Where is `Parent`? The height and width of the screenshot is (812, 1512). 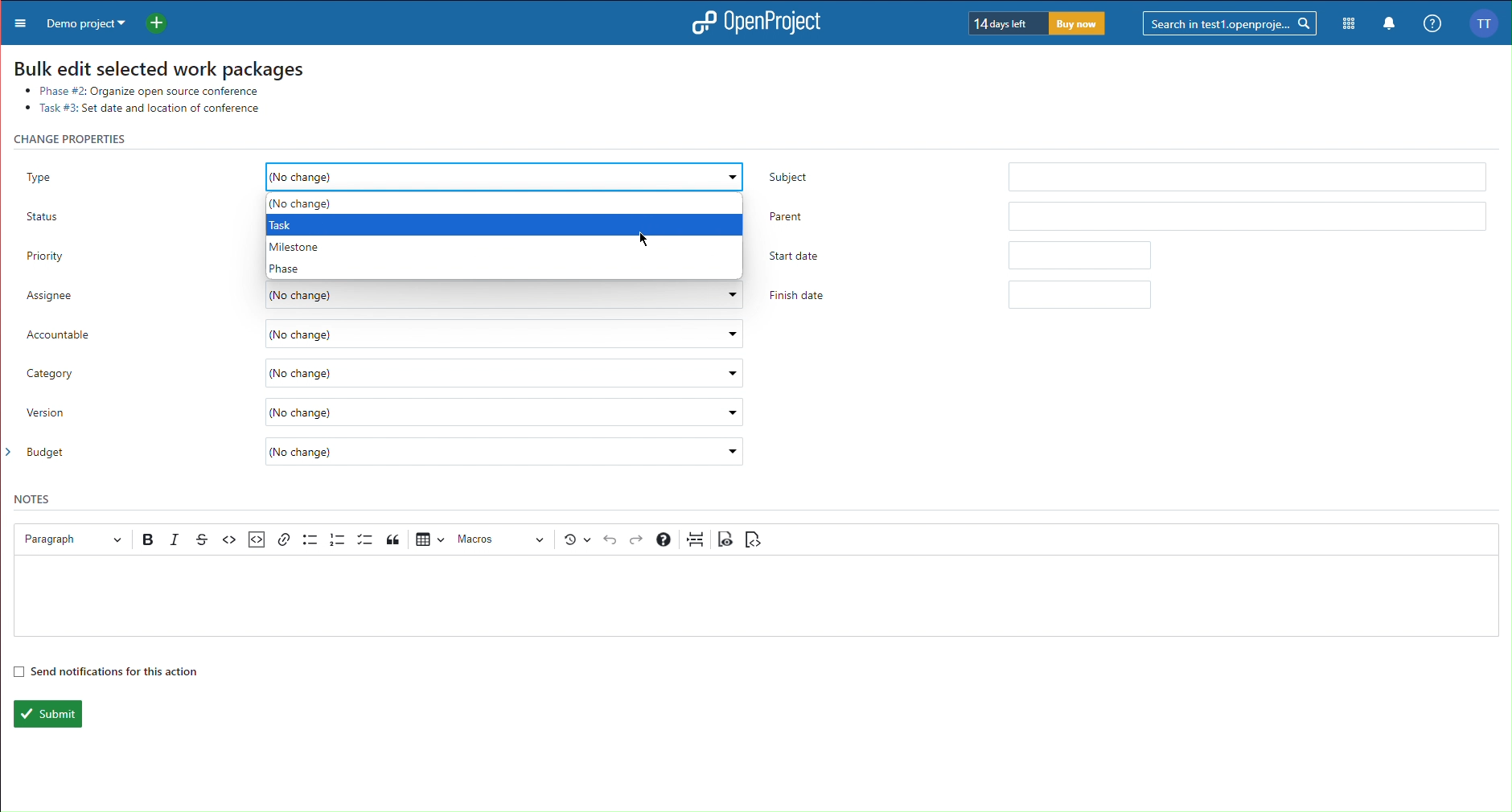
Parent is located at coordinates (1128, 212).